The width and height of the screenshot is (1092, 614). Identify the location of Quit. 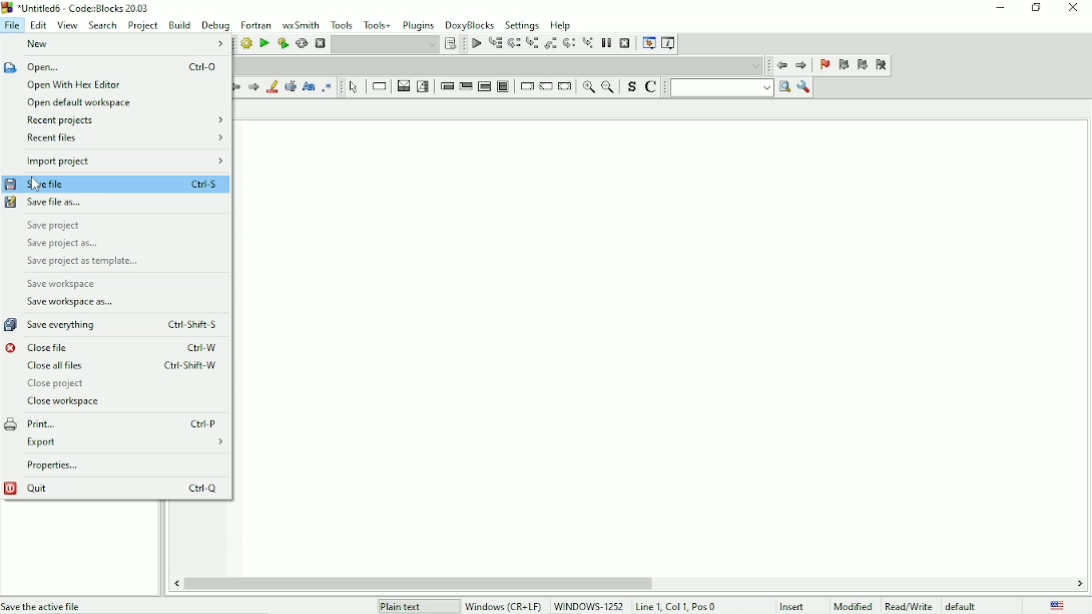
(114, 488).